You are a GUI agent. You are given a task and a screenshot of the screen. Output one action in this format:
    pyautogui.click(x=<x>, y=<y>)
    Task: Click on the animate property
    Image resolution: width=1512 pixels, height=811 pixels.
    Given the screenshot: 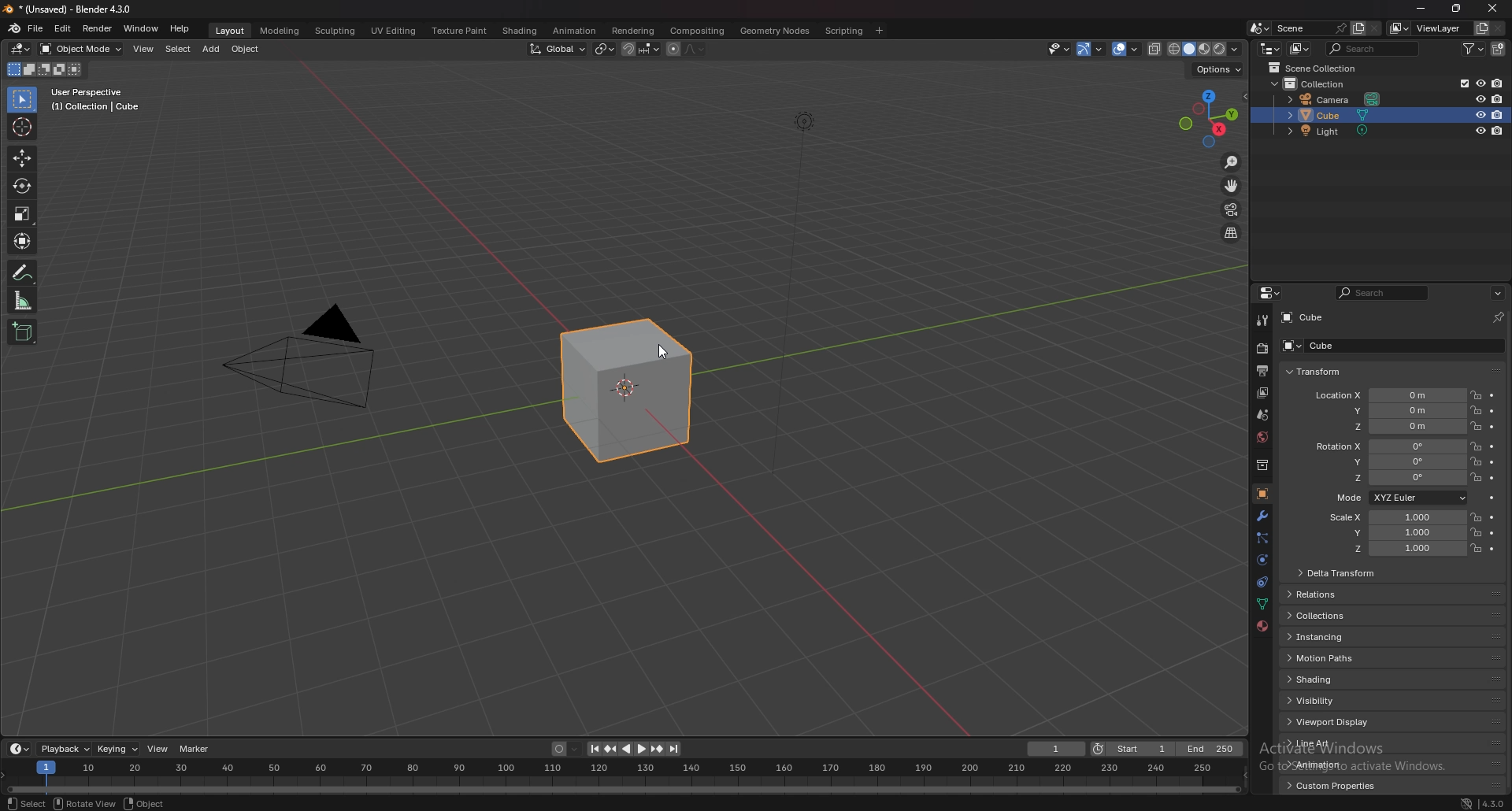 What is the action you would take?
    pyautogui.click(x=1492, y=549)
    